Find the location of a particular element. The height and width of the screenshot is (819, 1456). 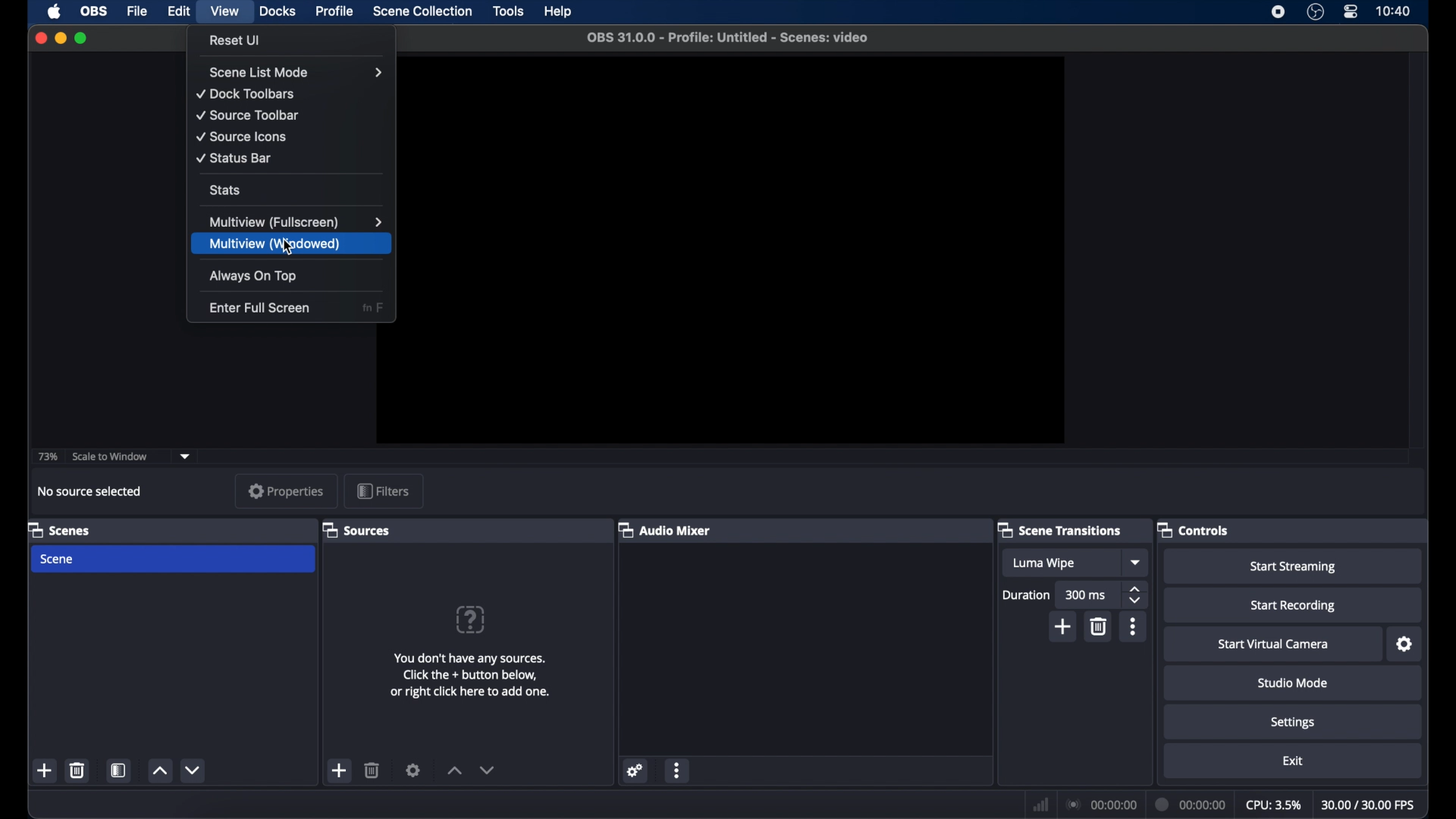

00:00:00 is located at coordinates (1103, 805).